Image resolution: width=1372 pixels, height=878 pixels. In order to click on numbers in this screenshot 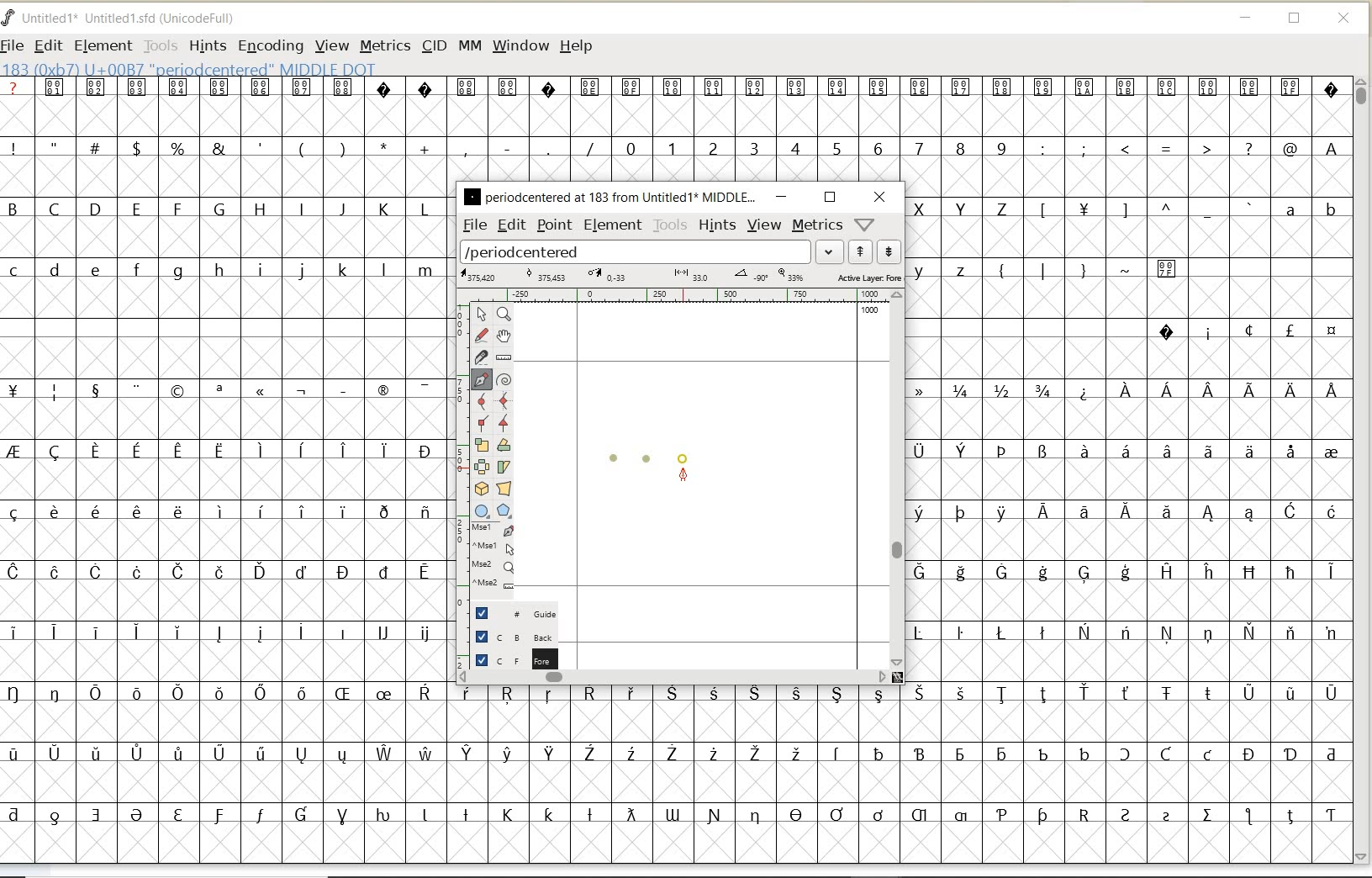, I will do `click(812, 147)`.